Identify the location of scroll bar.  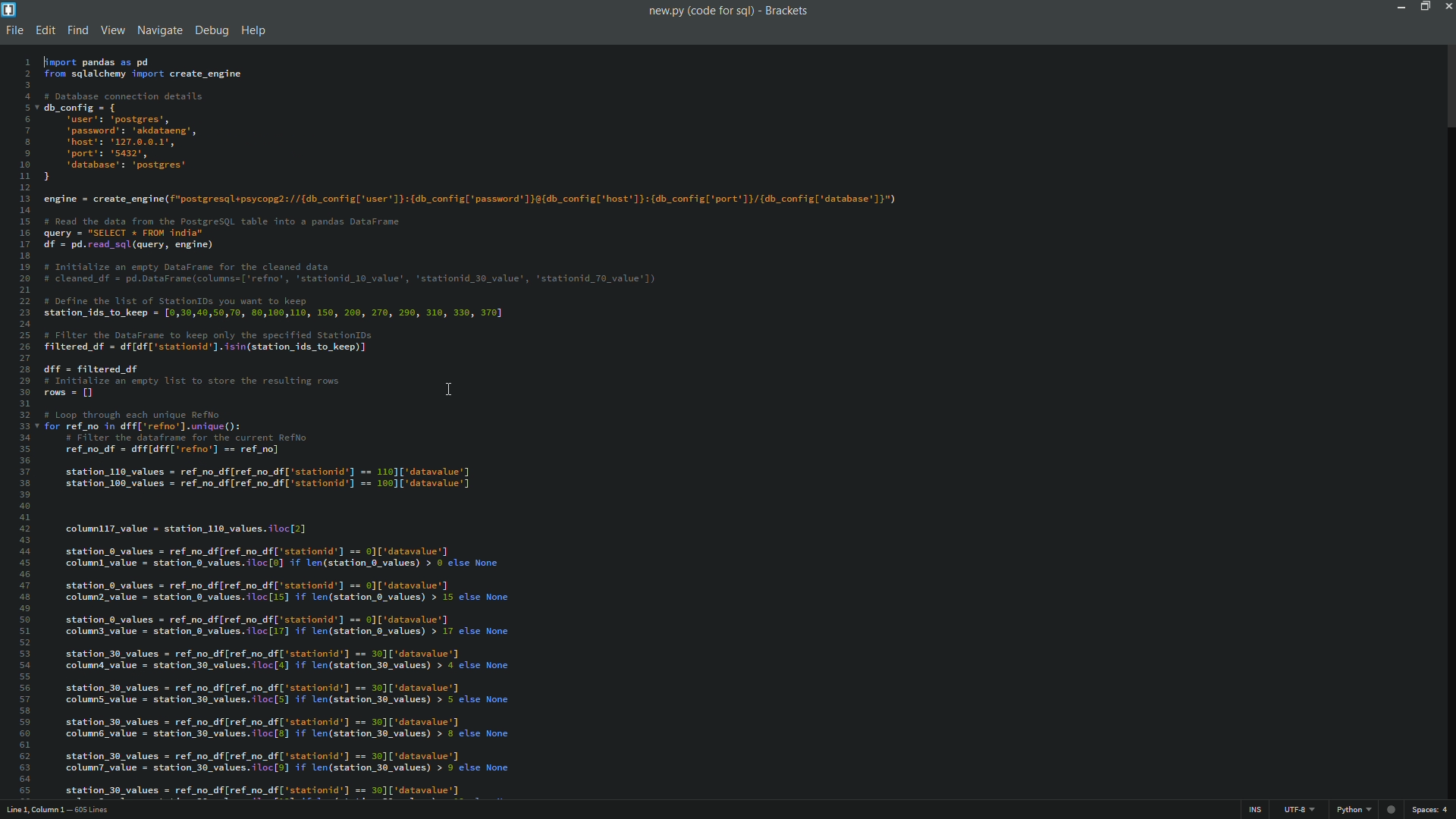
(1448, 89).